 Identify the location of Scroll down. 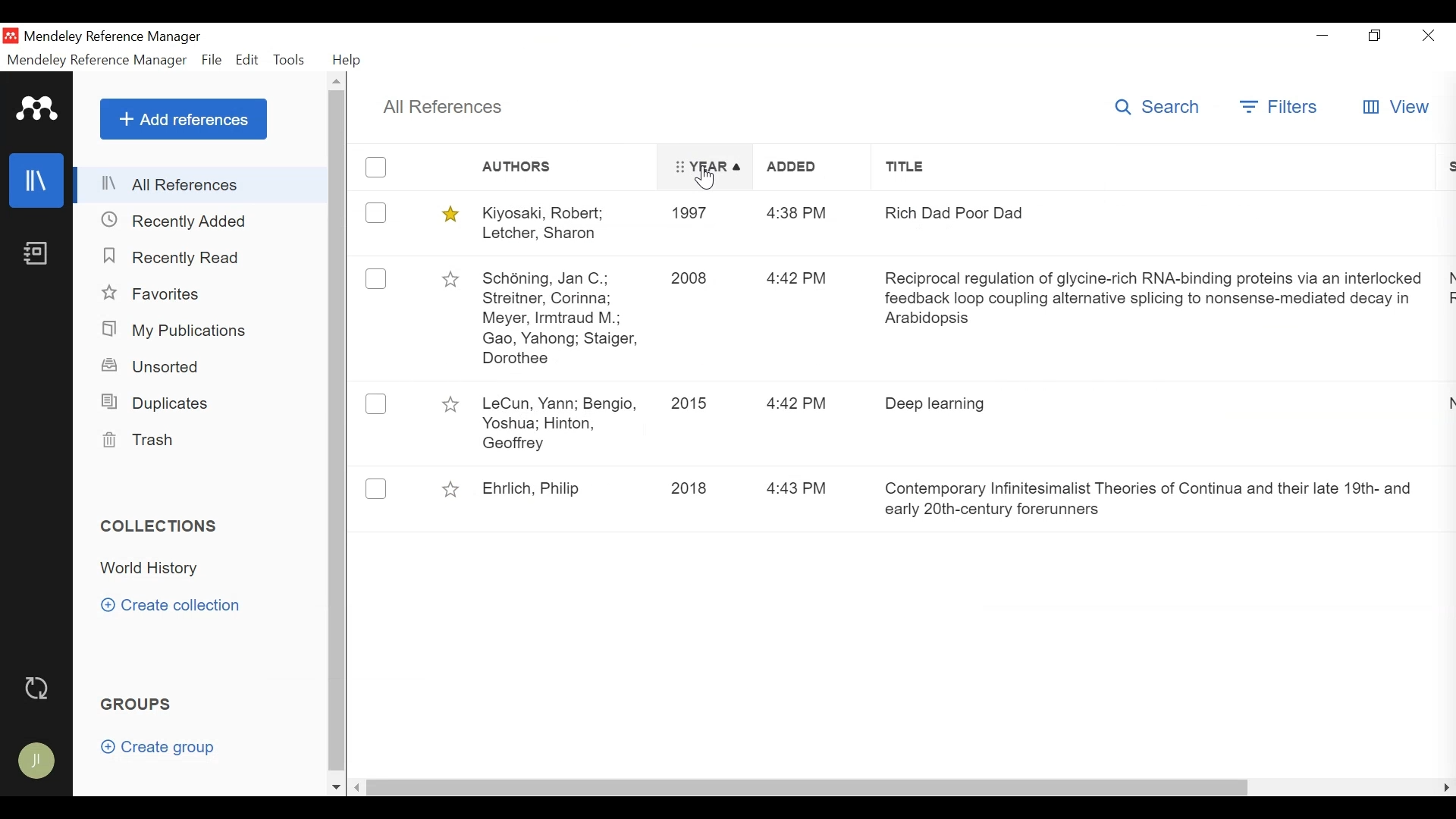
(337, 786).